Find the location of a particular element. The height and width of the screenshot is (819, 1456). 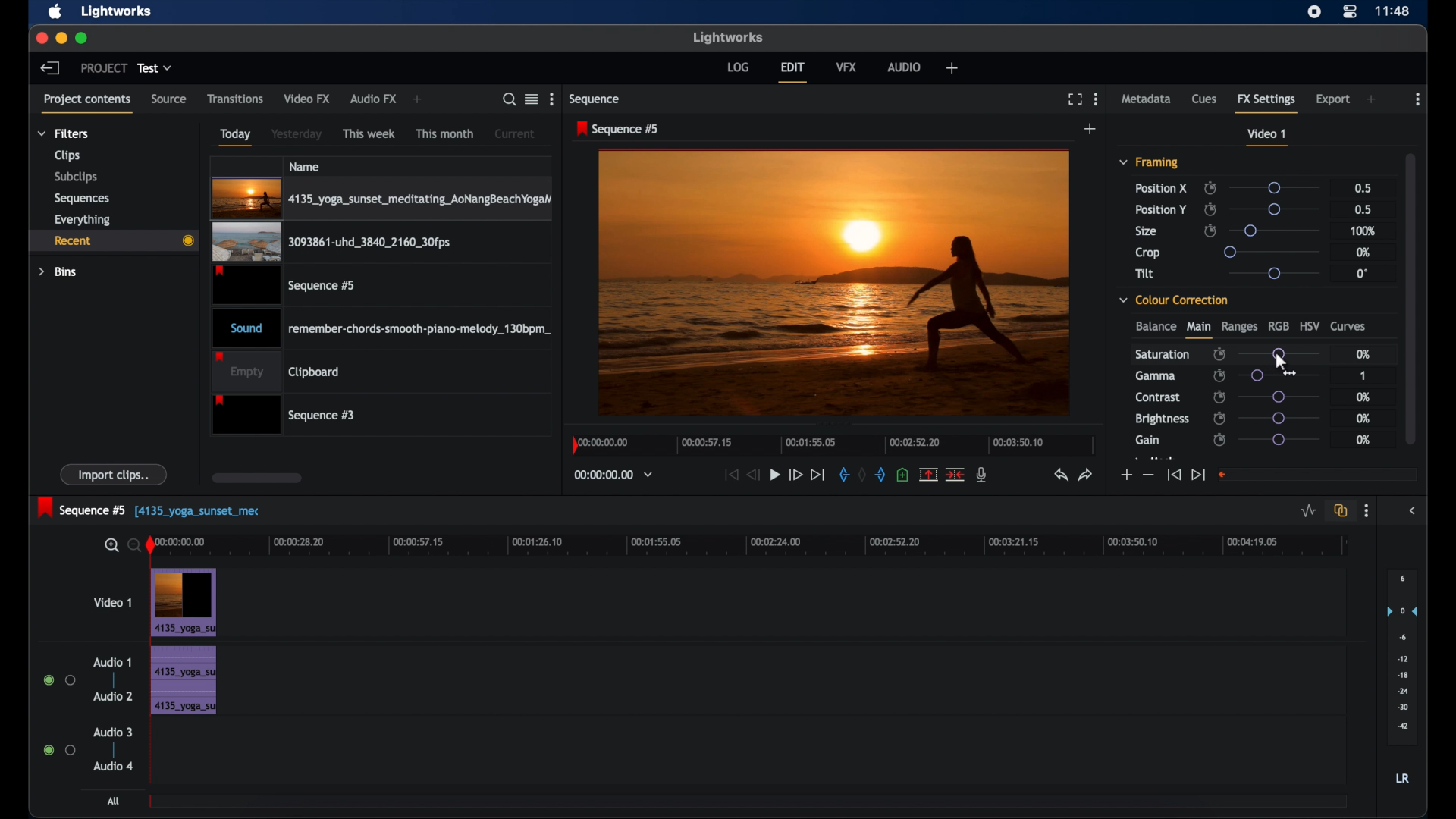

audio 3 is located at coordinates (112, 732).